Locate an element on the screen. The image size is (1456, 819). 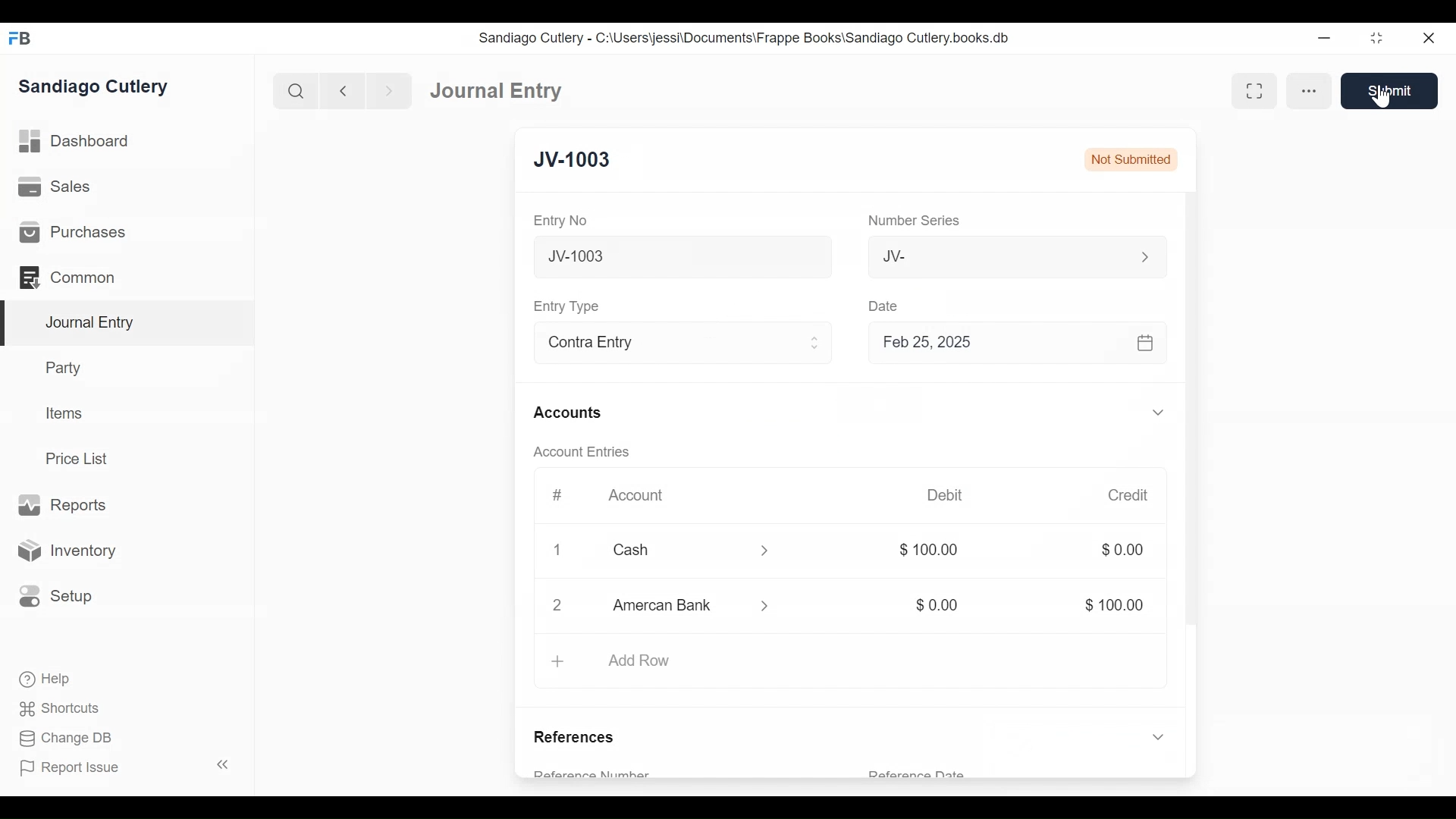
Vertical Scroll bar is located at coordinates (1194, 434).